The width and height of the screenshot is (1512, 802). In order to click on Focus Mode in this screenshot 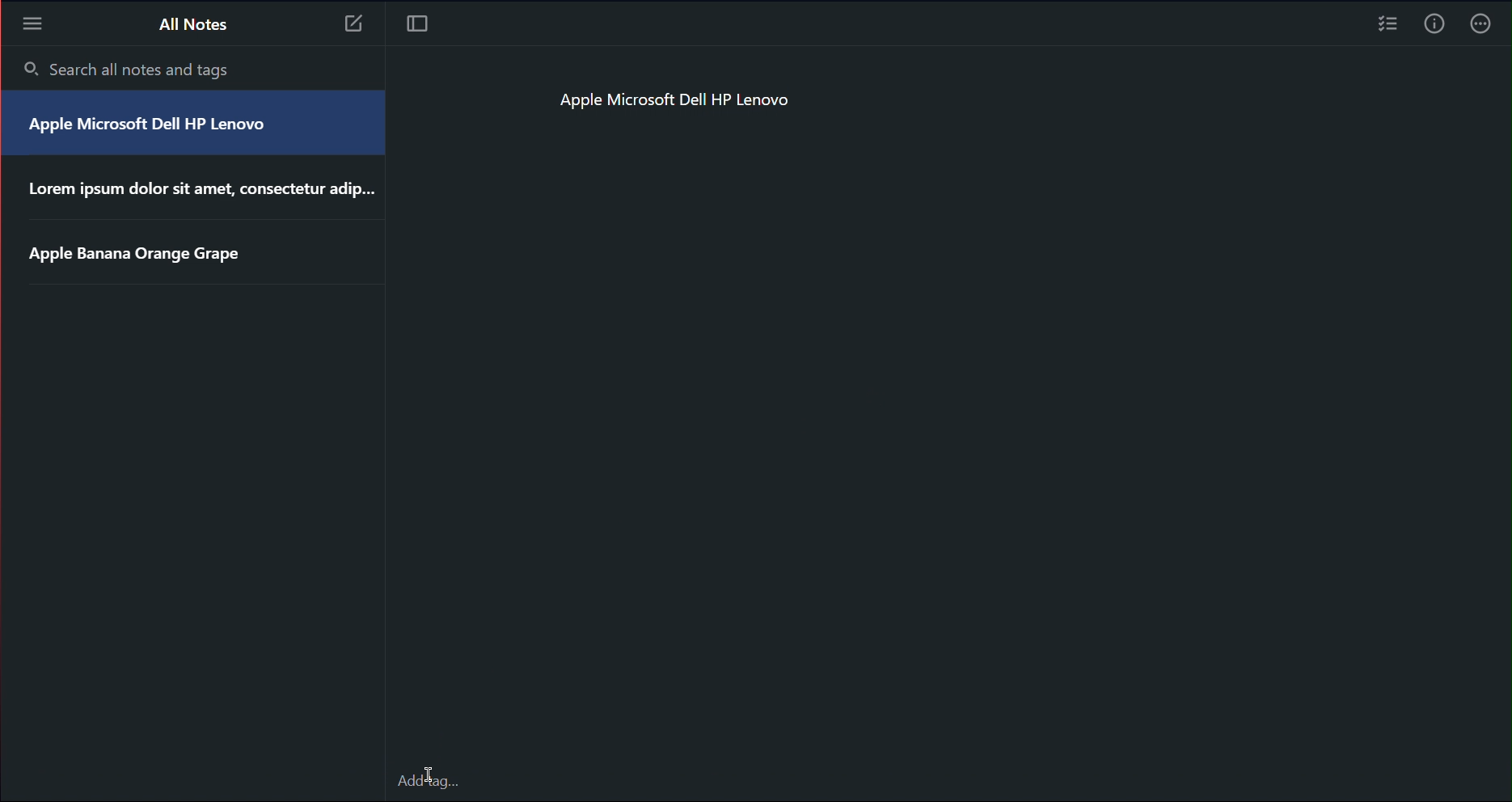, I will do `click(419, 24)`.